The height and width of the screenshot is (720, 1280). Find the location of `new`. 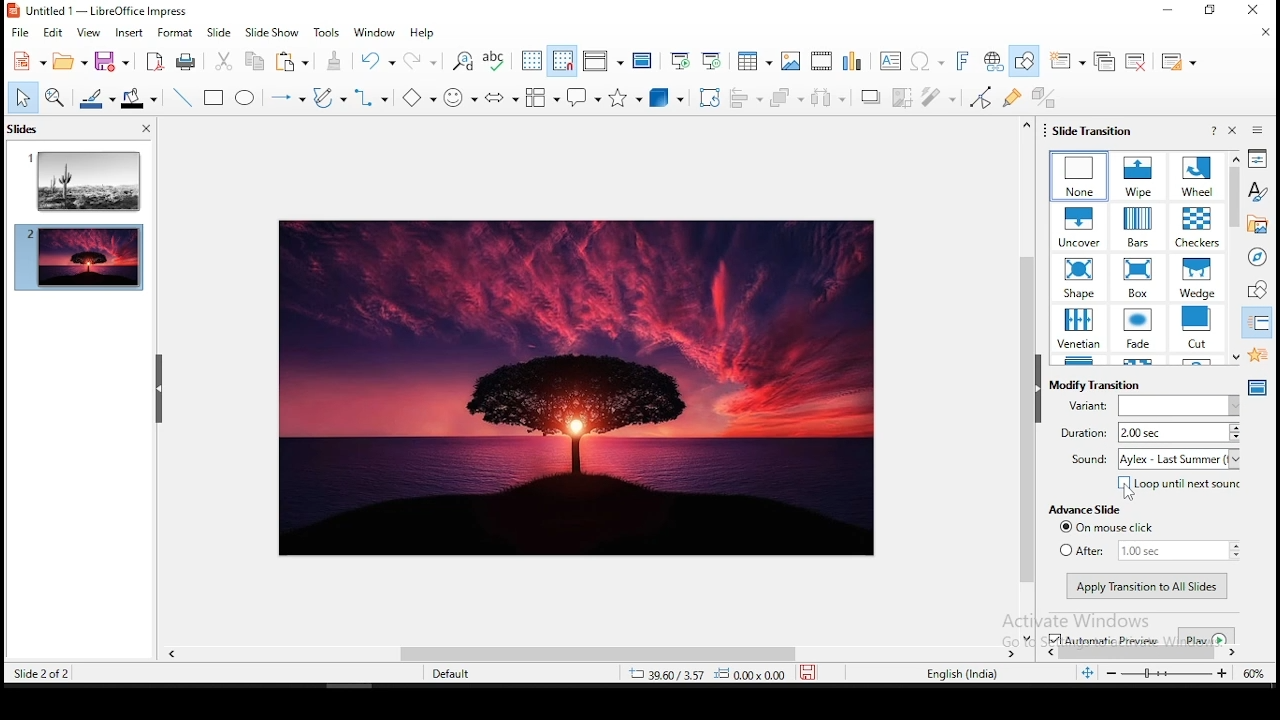

new is located at coordinates (25, 64).